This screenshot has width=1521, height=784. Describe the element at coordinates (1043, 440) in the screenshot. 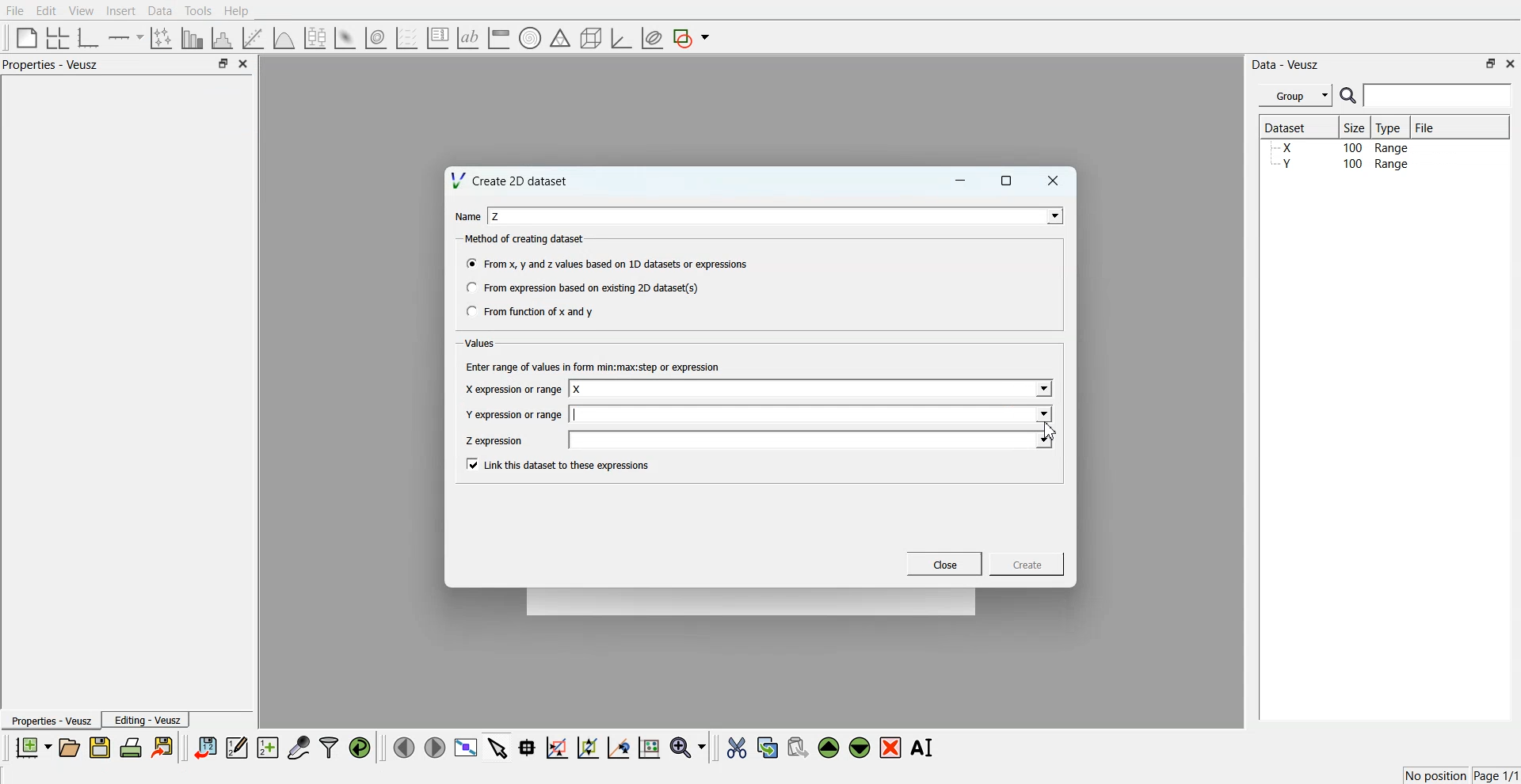

I see `Drop down` at that location.